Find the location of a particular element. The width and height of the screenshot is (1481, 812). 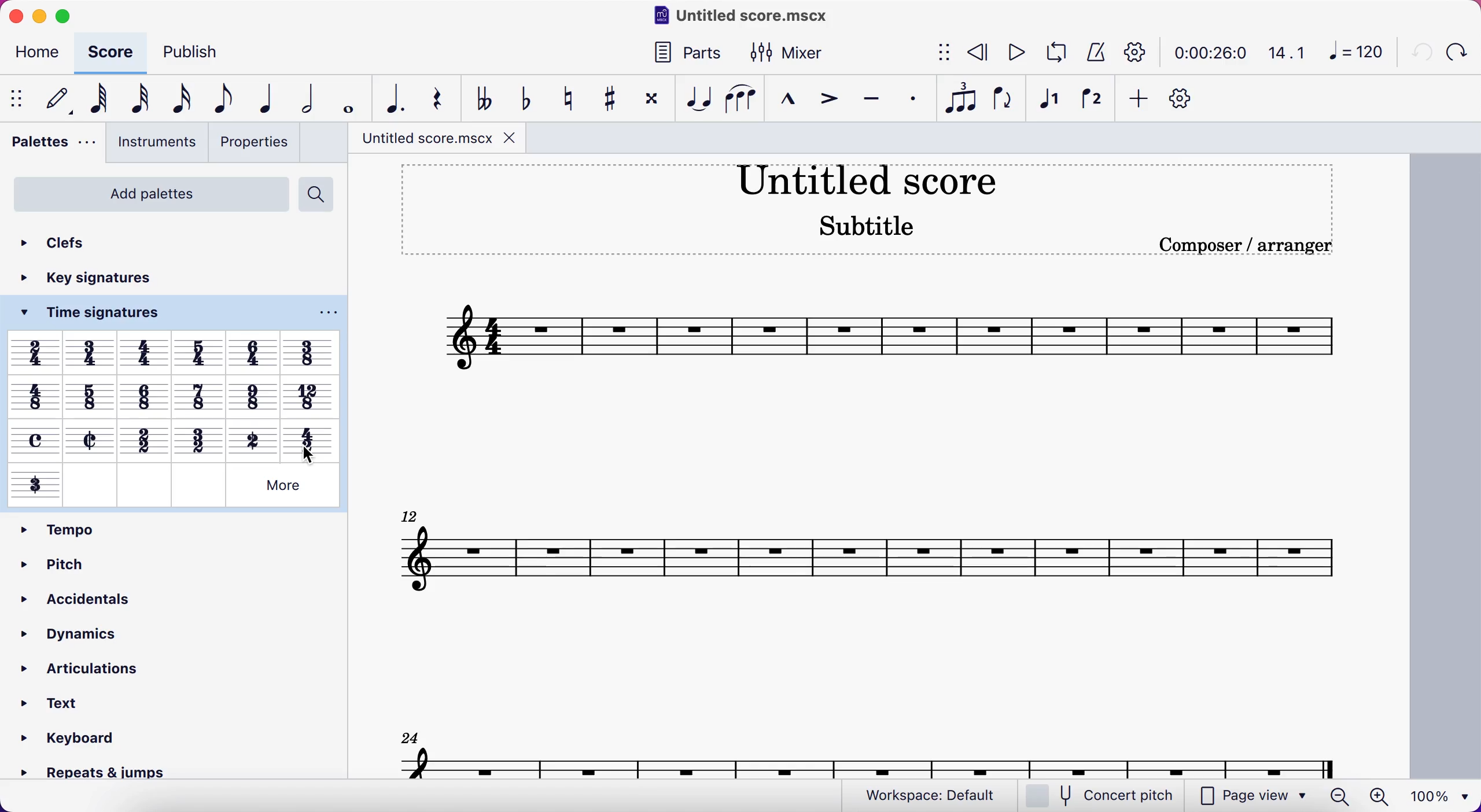

title is located at coordinates (737, 17).